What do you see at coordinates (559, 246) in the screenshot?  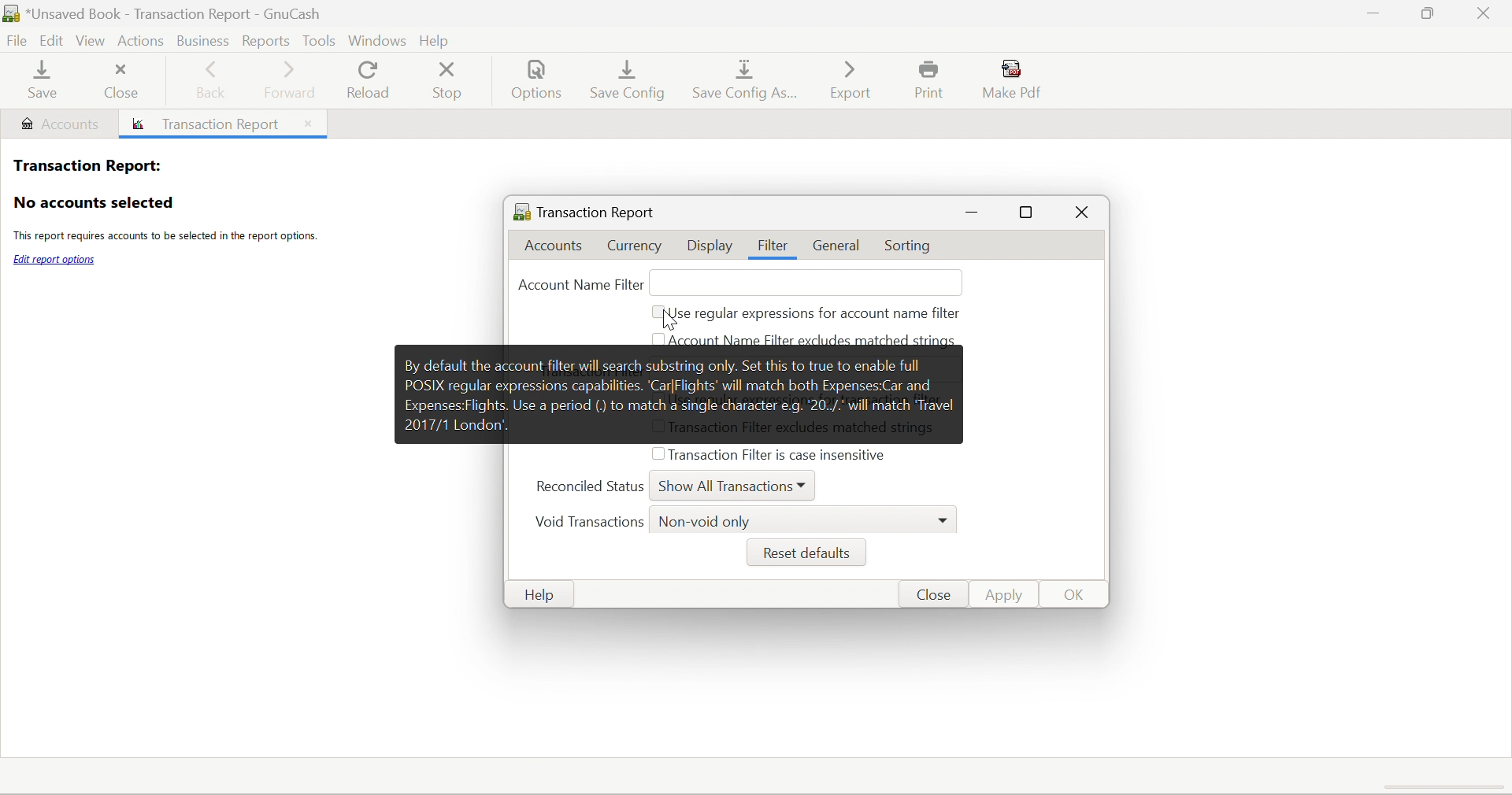 I see `Accounts` at bounding box center [559, 246].